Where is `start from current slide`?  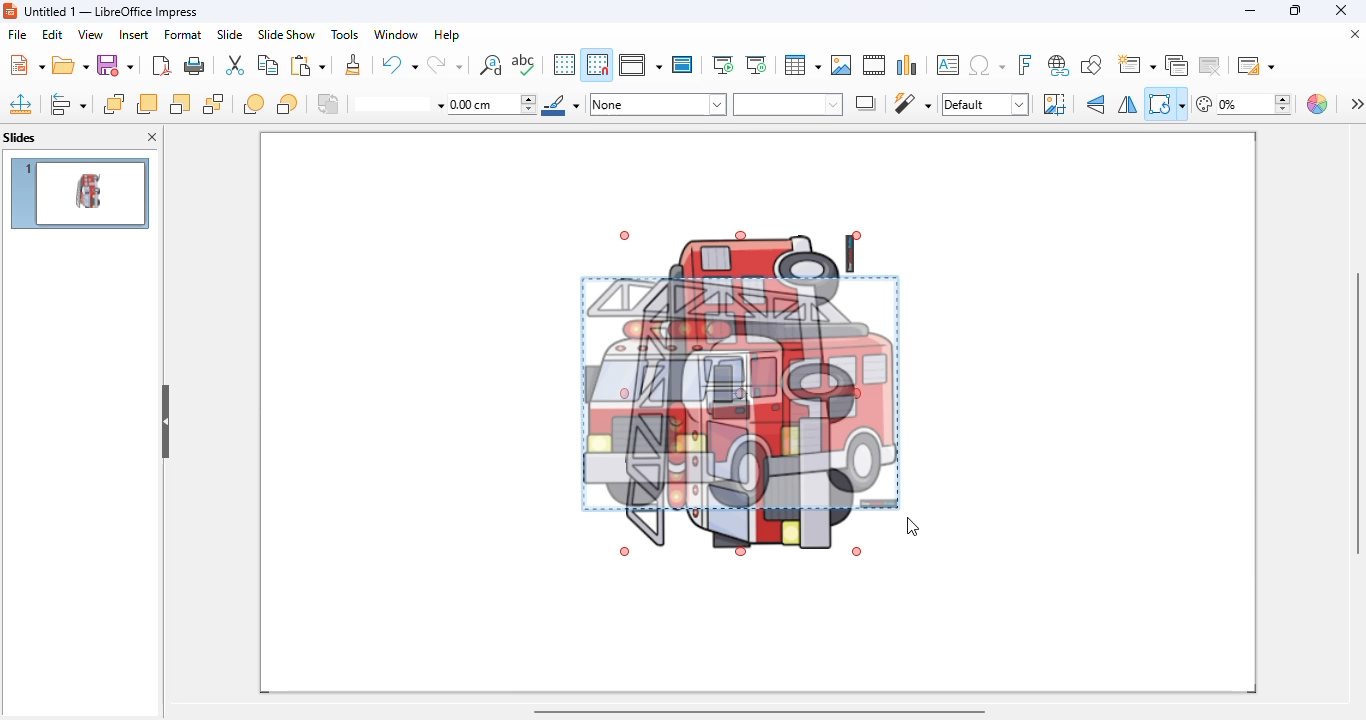 start from current slide is located at coordinates (756, 65).